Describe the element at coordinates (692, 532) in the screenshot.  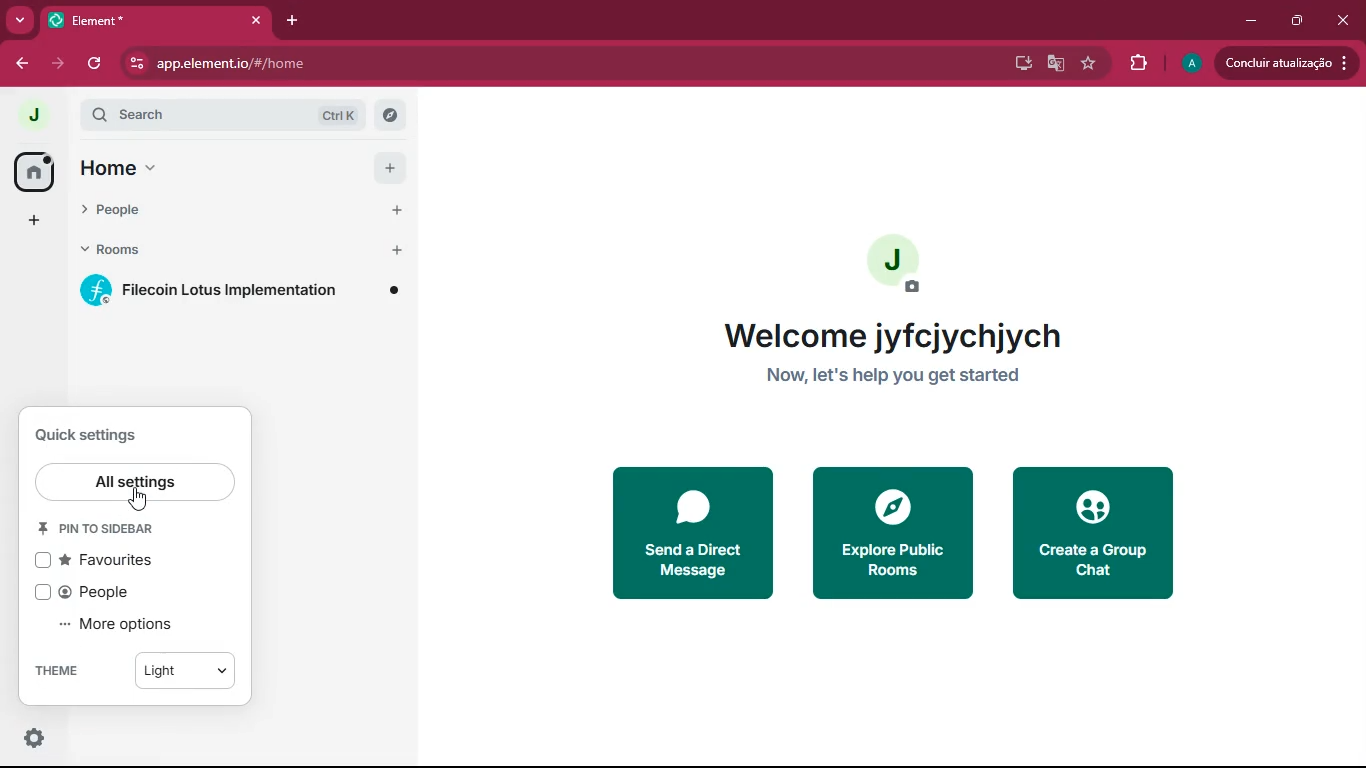
I see `send a direct message` at that location.